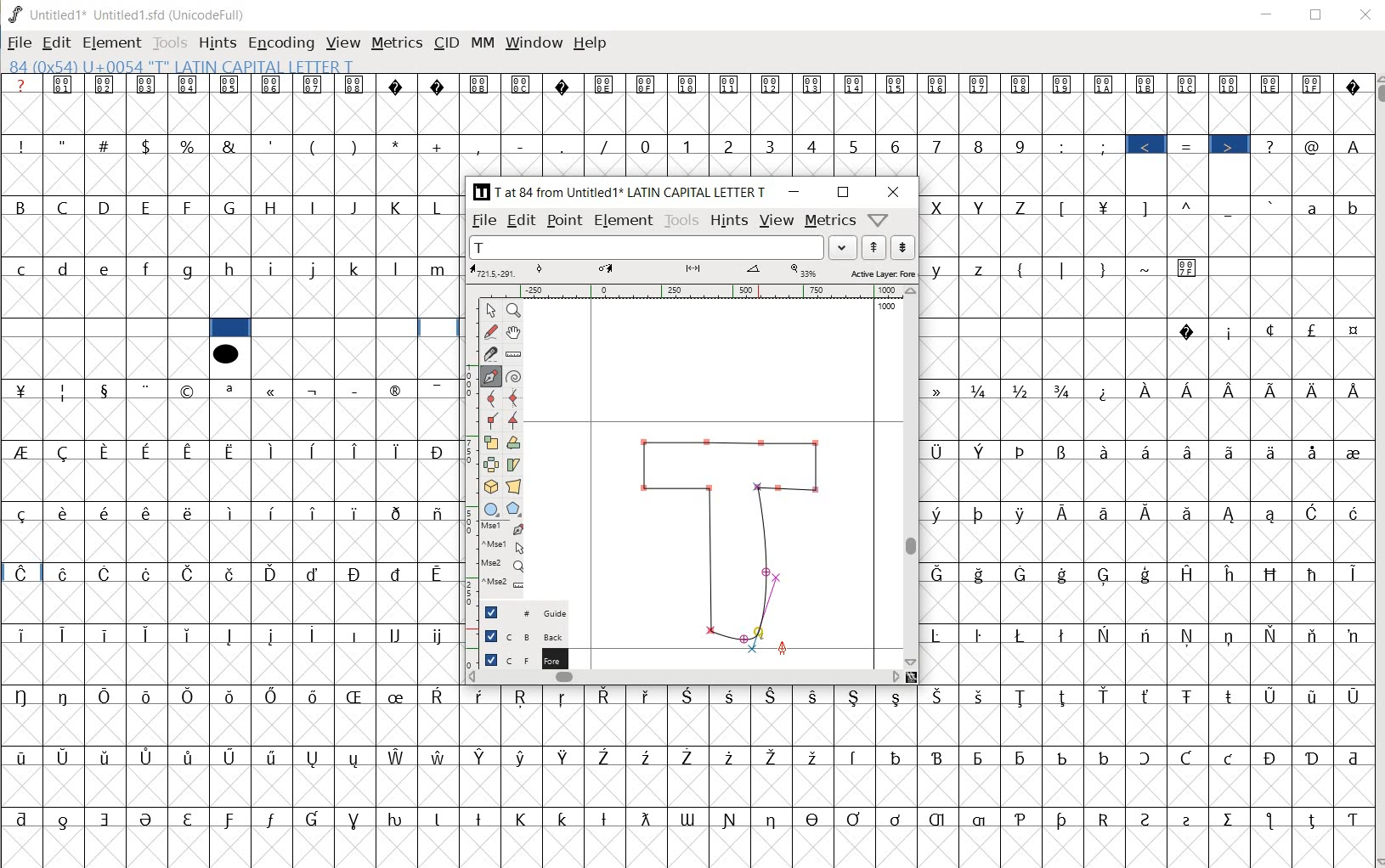  I want to click on metrics, so click(829, 223).